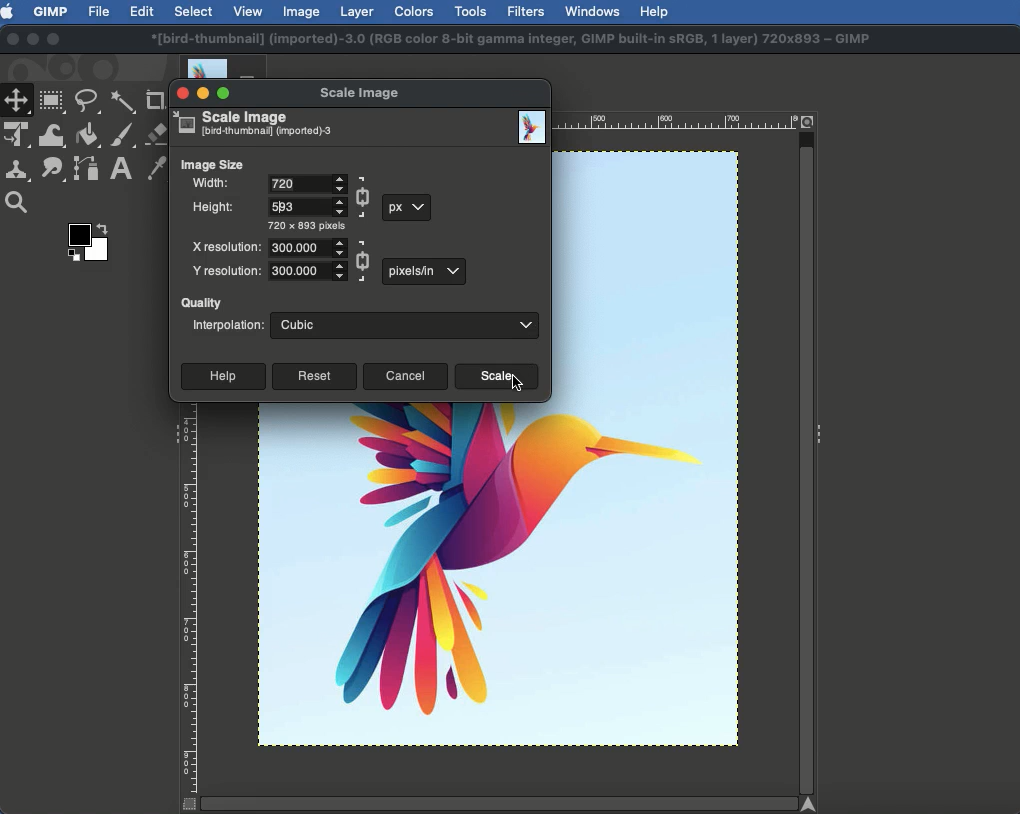 This screenshot has height=814, width=1020. What do you see at coordinates (363, 195) in the screenshot?
I see `Linked` at bounding box center [363, 195].